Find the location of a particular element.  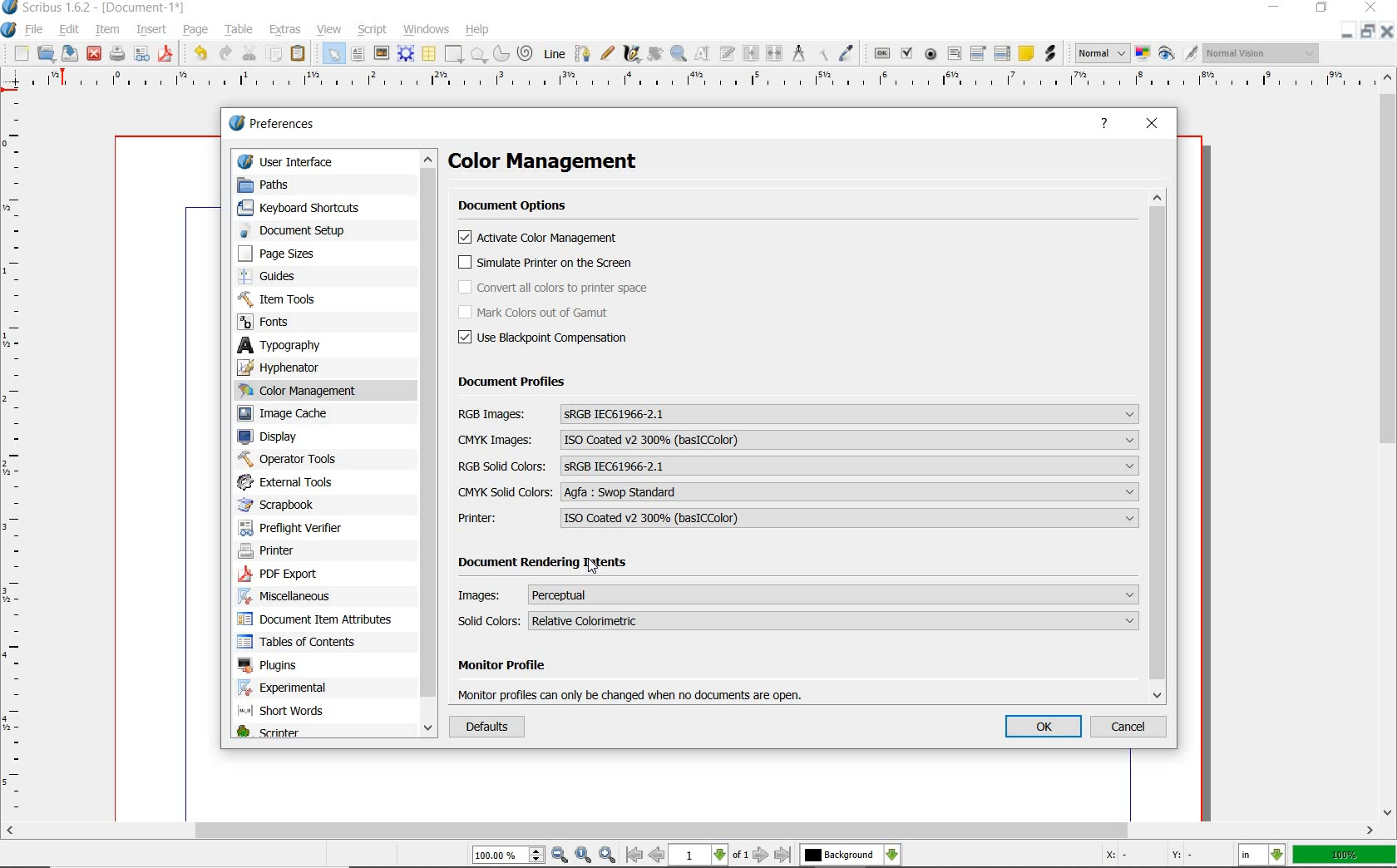

scrollbar is located at coordinates (428, 445).